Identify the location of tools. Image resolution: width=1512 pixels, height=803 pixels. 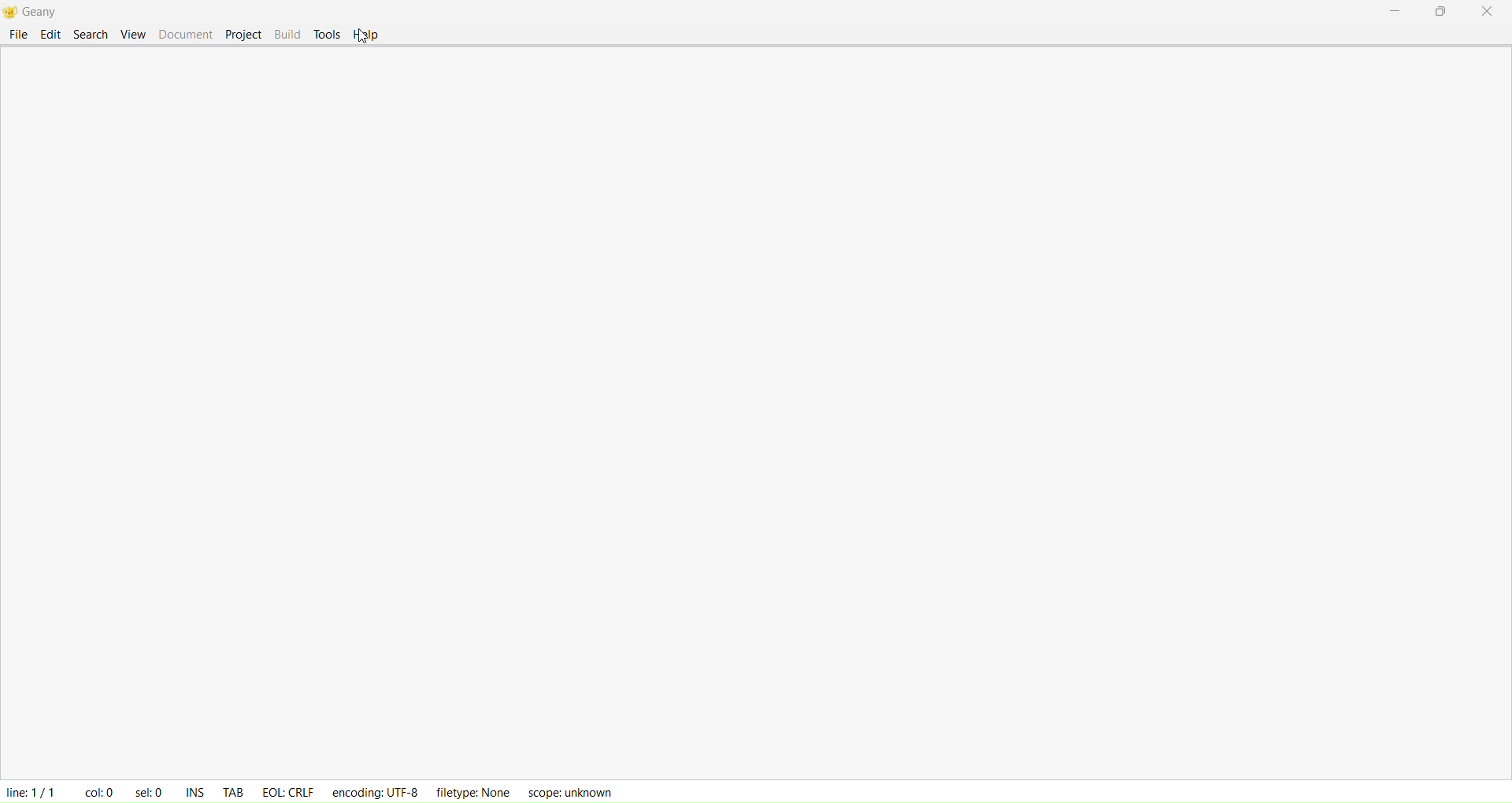
(327, 34).